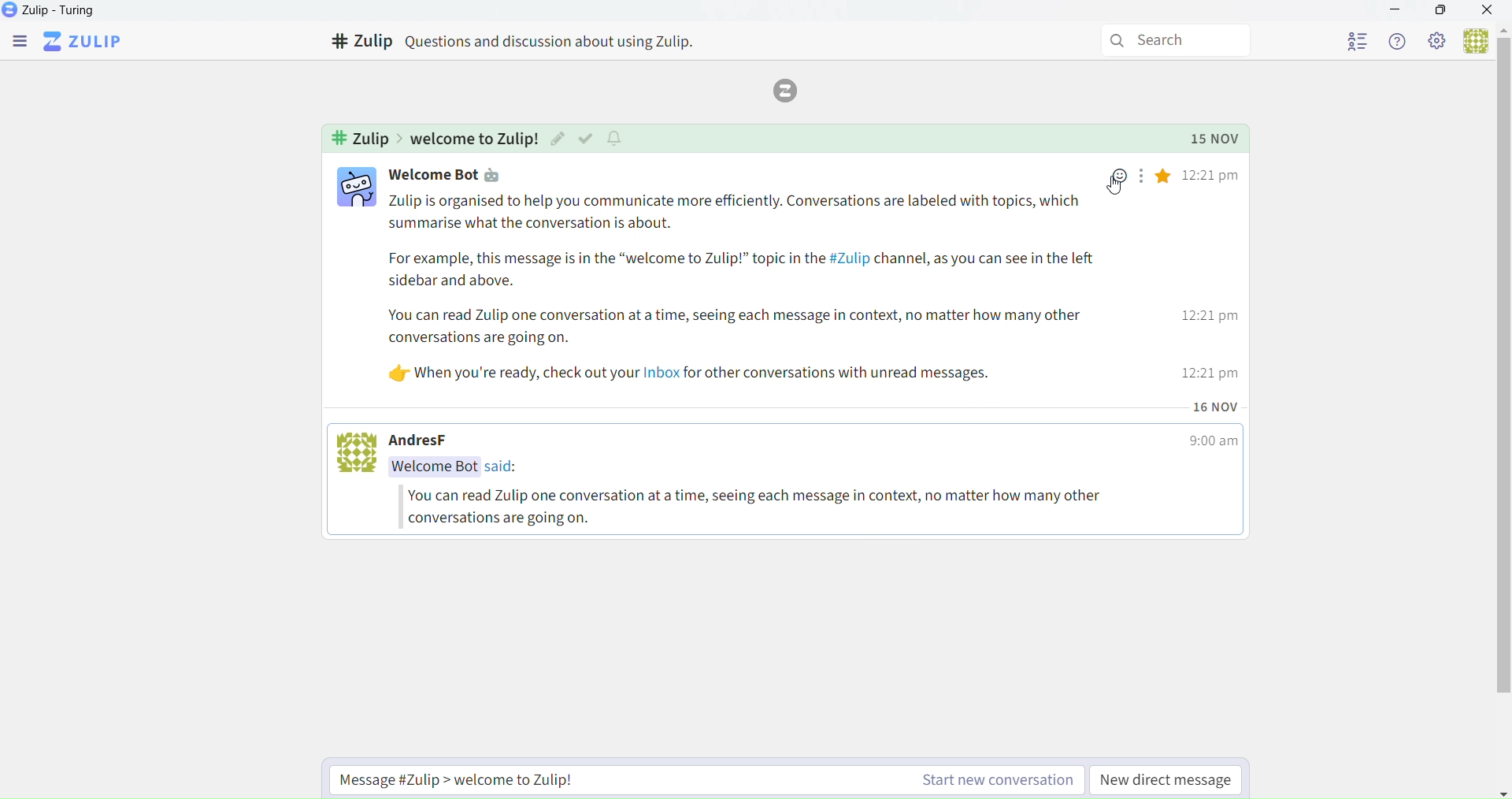 This screenshot has width=1512, height=799. Describe the element at coordinates (1471, 40) in the screenshot. I see `User` at that location.